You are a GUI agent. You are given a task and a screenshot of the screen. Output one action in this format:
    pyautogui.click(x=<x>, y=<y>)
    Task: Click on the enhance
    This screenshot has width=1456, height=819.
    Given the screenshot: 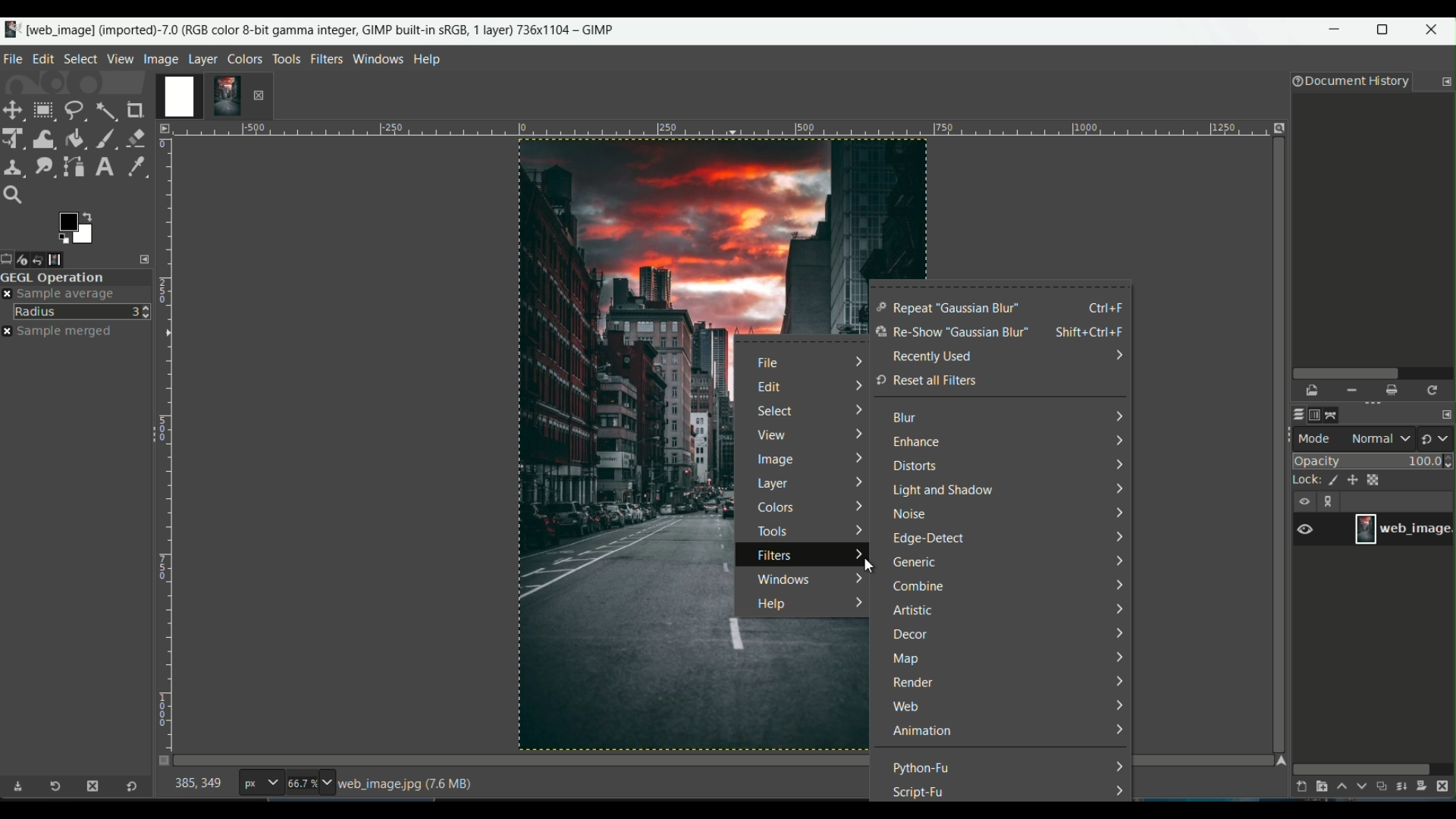 What is the action you would take?
    pyautogui.click(x=914, y=444)
    